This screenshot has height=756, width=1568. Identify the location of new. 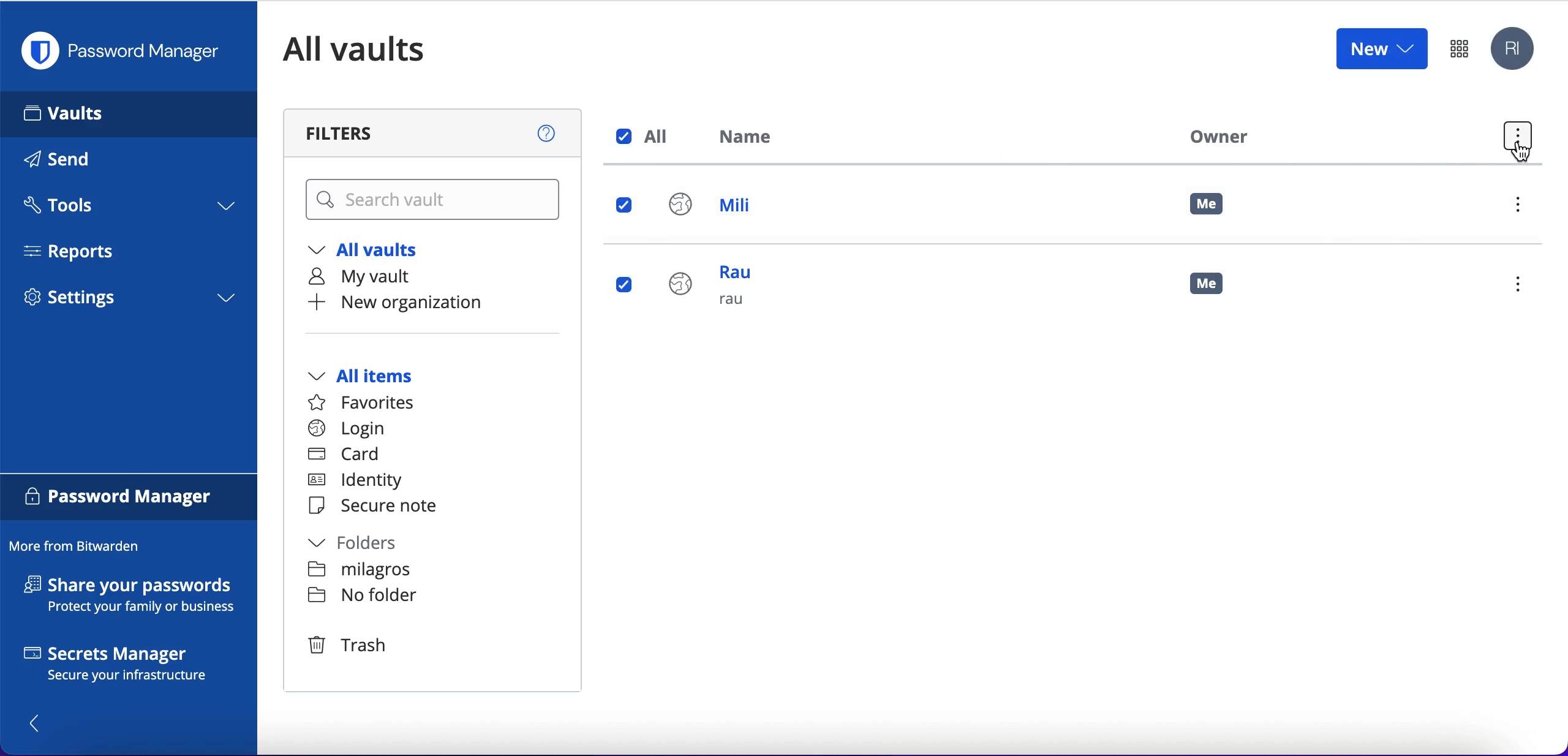
(1381, 48).